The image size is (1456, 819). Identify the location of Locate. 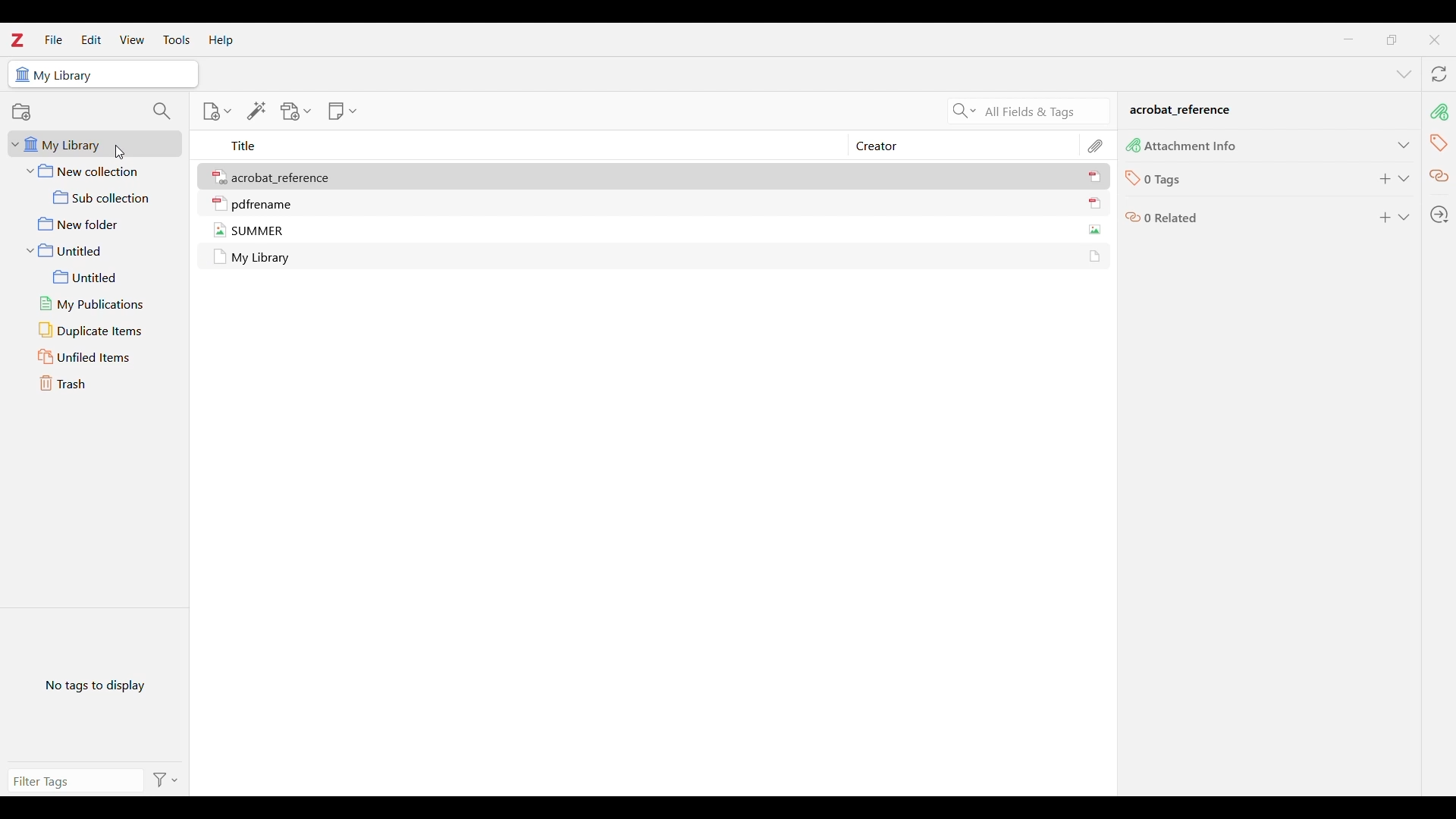
(1439, 215).